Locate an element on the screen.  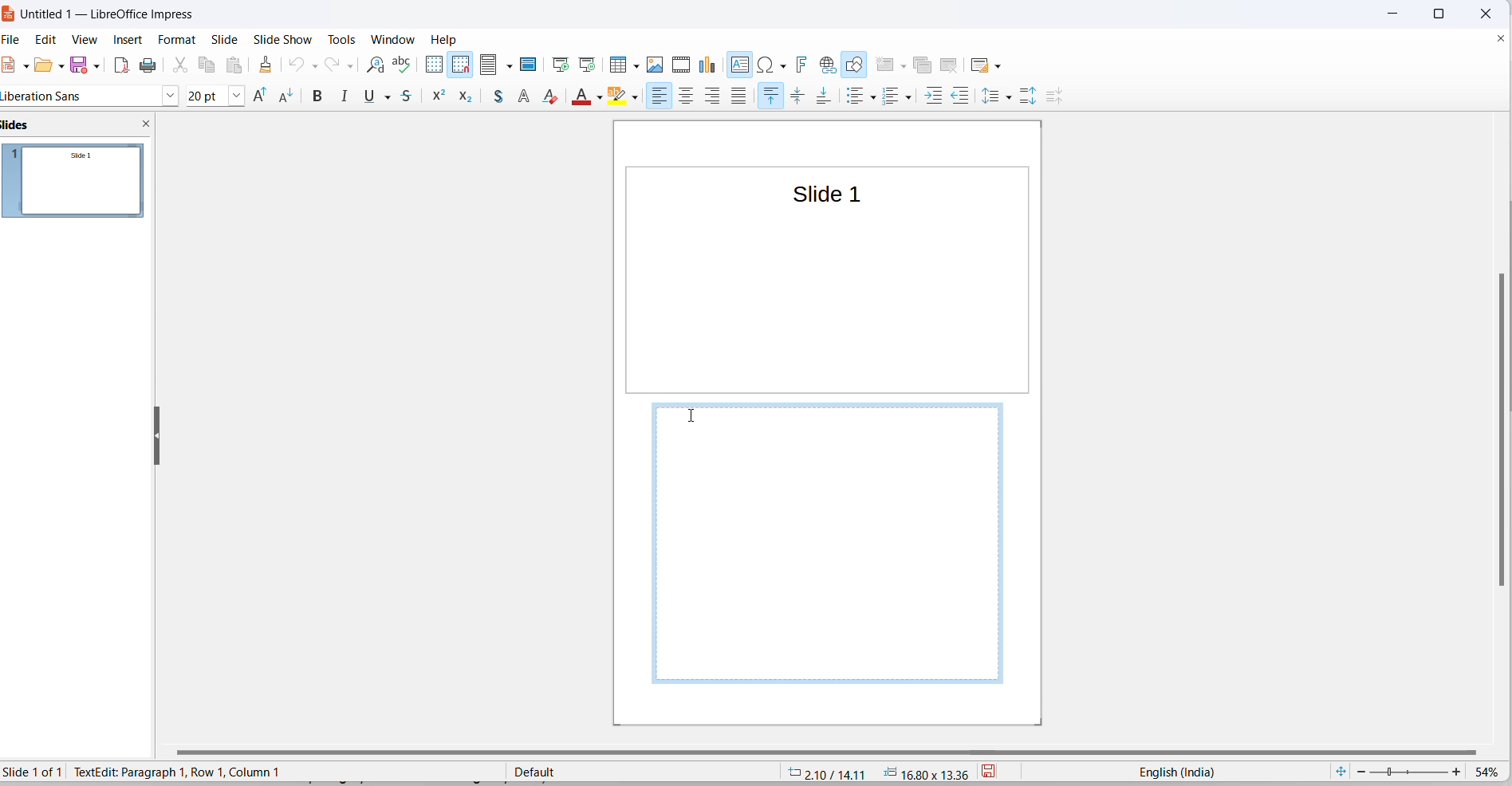
clone formatting is located at coordinates (267, 65).